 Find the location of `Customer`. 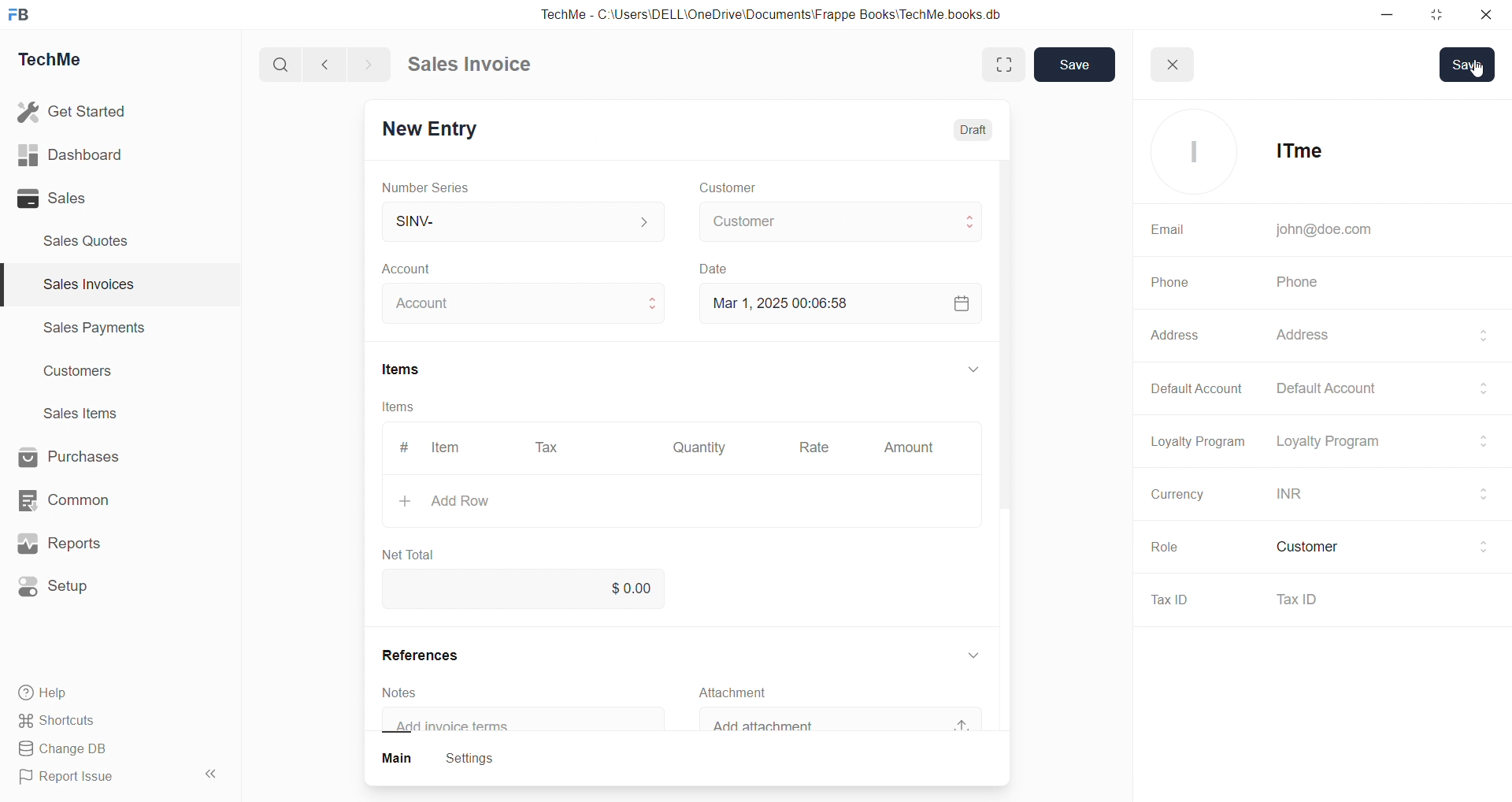

Customer is located at coordinates (1377, 547).